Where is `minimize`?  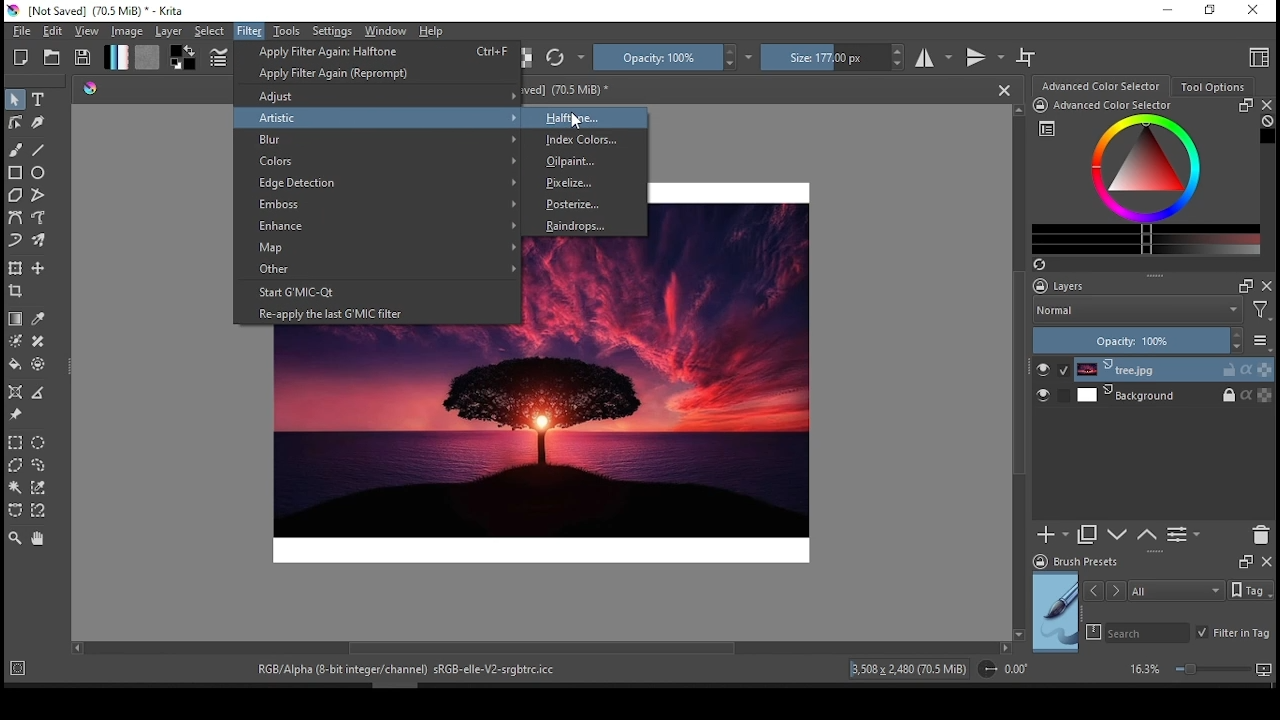
minimize is located at coordinates (1166, 10).